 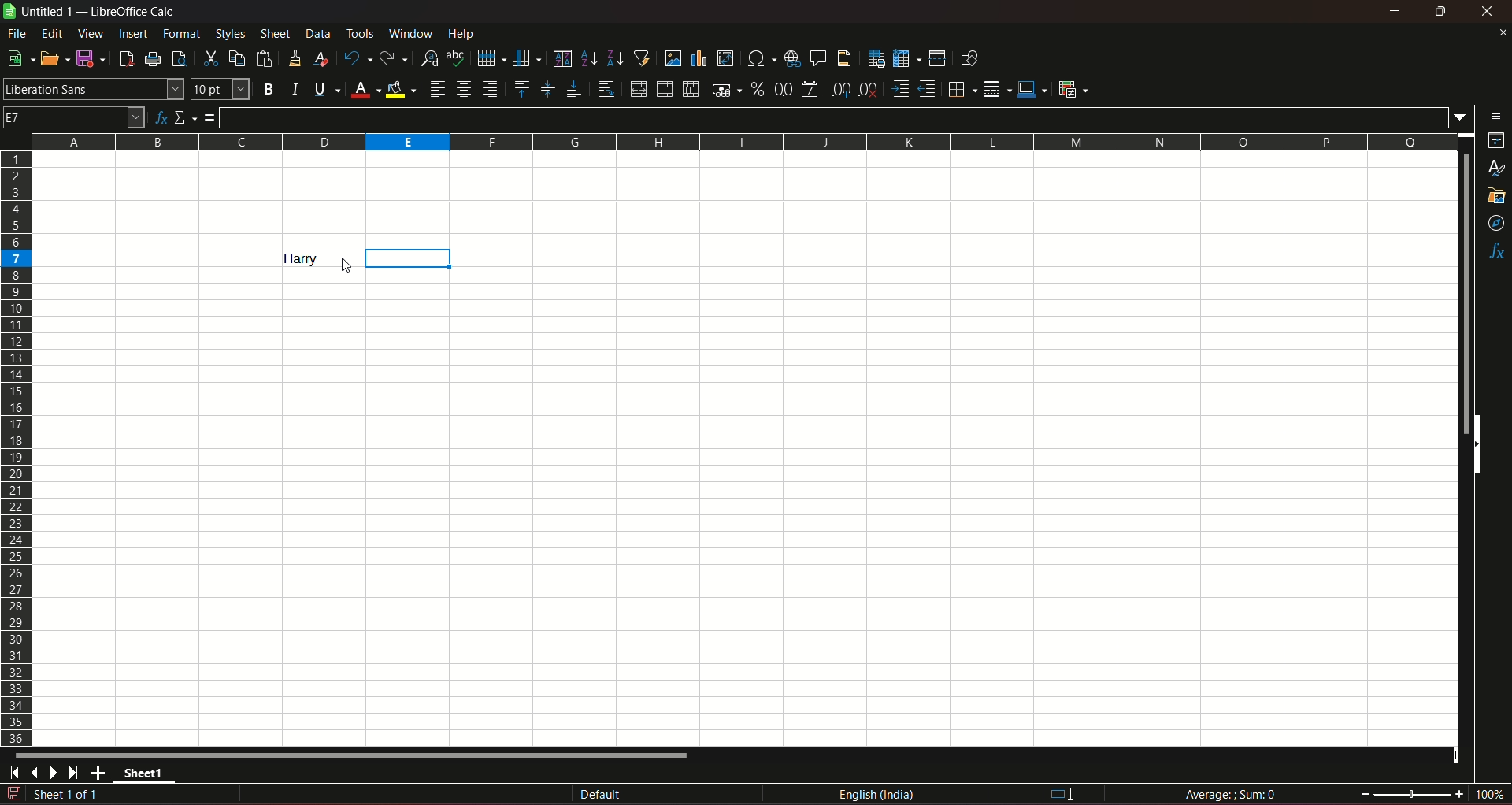 What do you see at coordinates (738, 139) in the screenshot?
I see `columns` at bounding box center [738, 139].